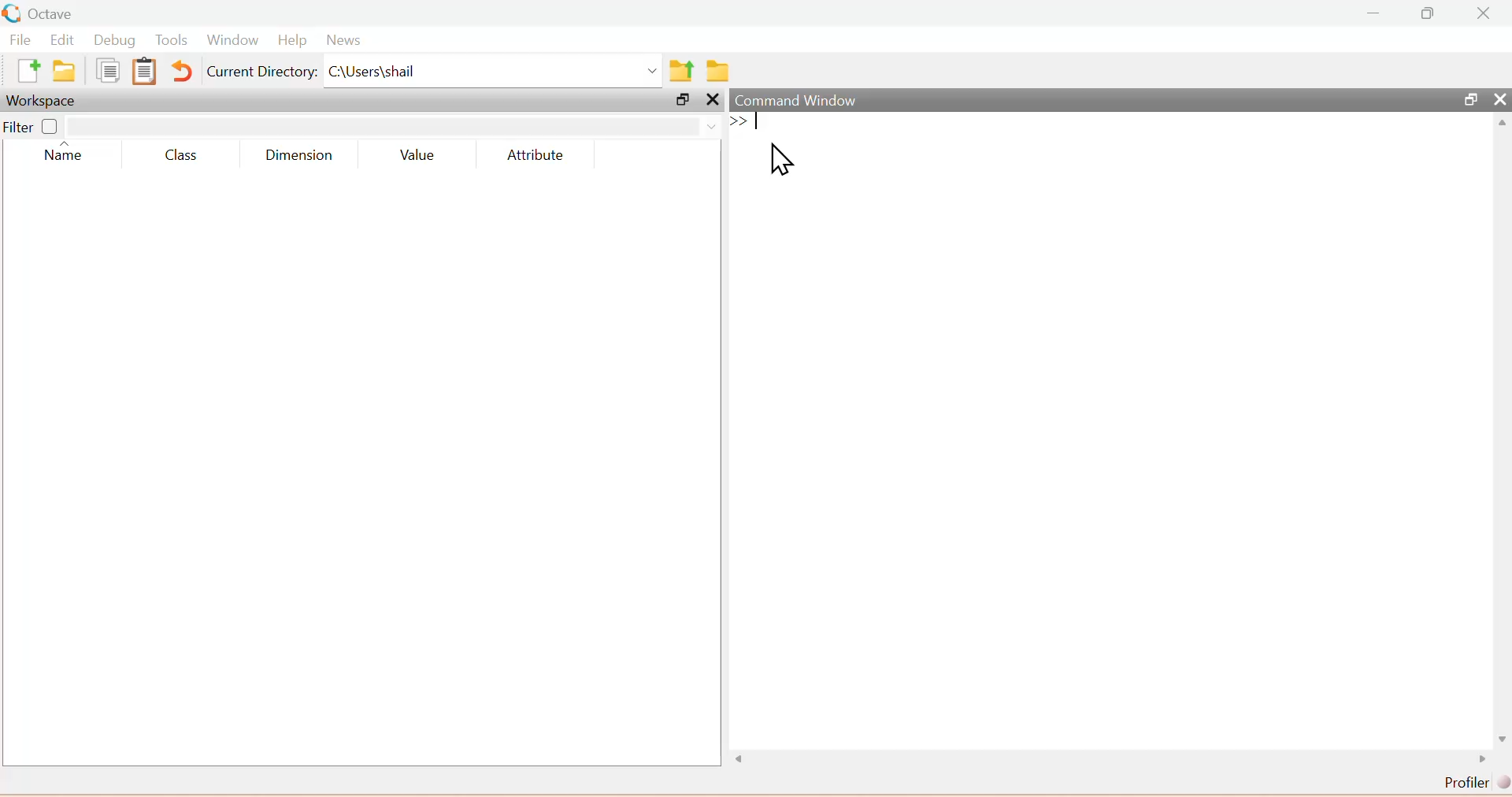  Describe the element at coordinates (305, 155) in the screenshot. I see `Dimension` at that location.